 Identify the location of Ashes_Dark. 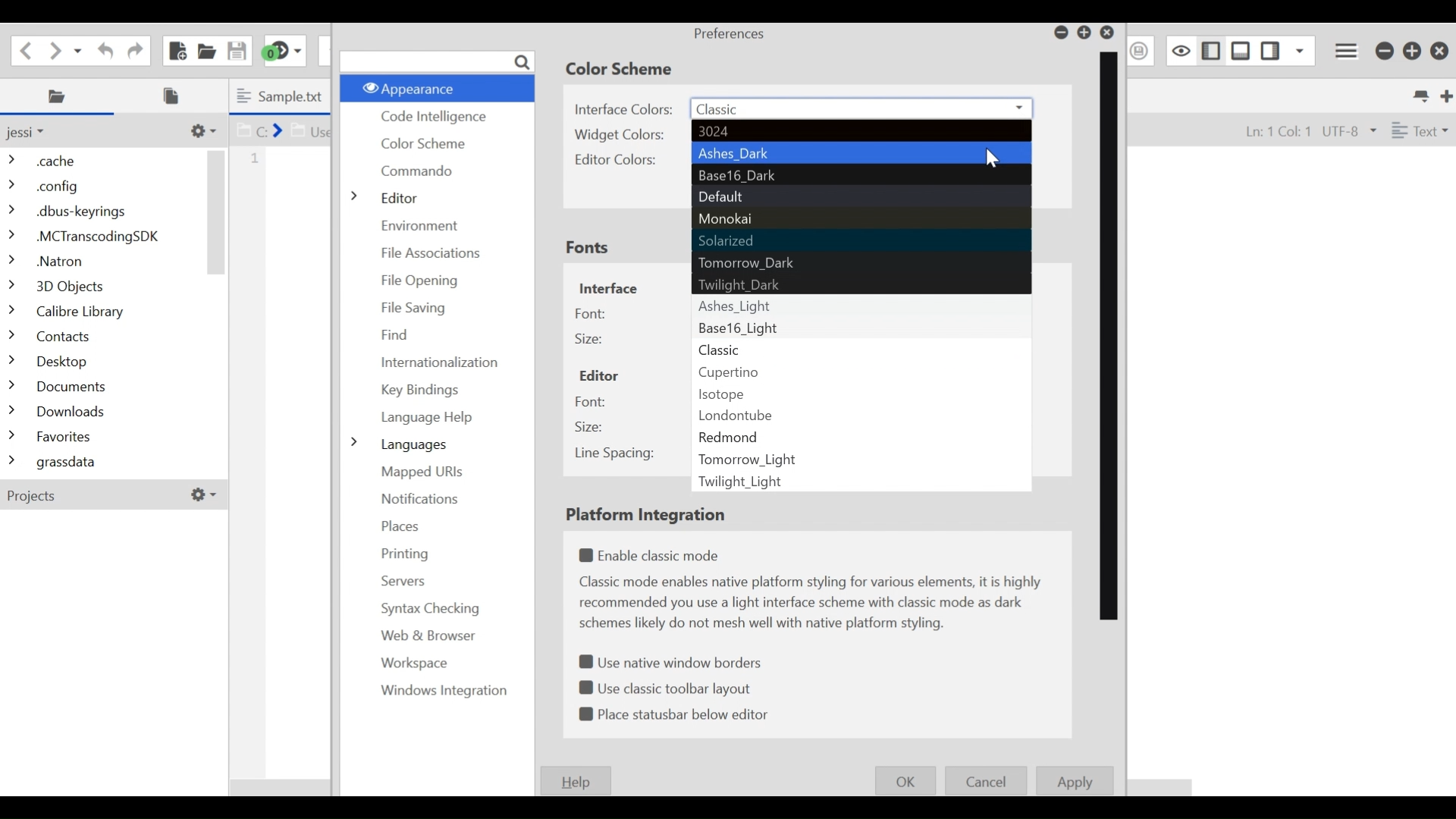
(862, 153).